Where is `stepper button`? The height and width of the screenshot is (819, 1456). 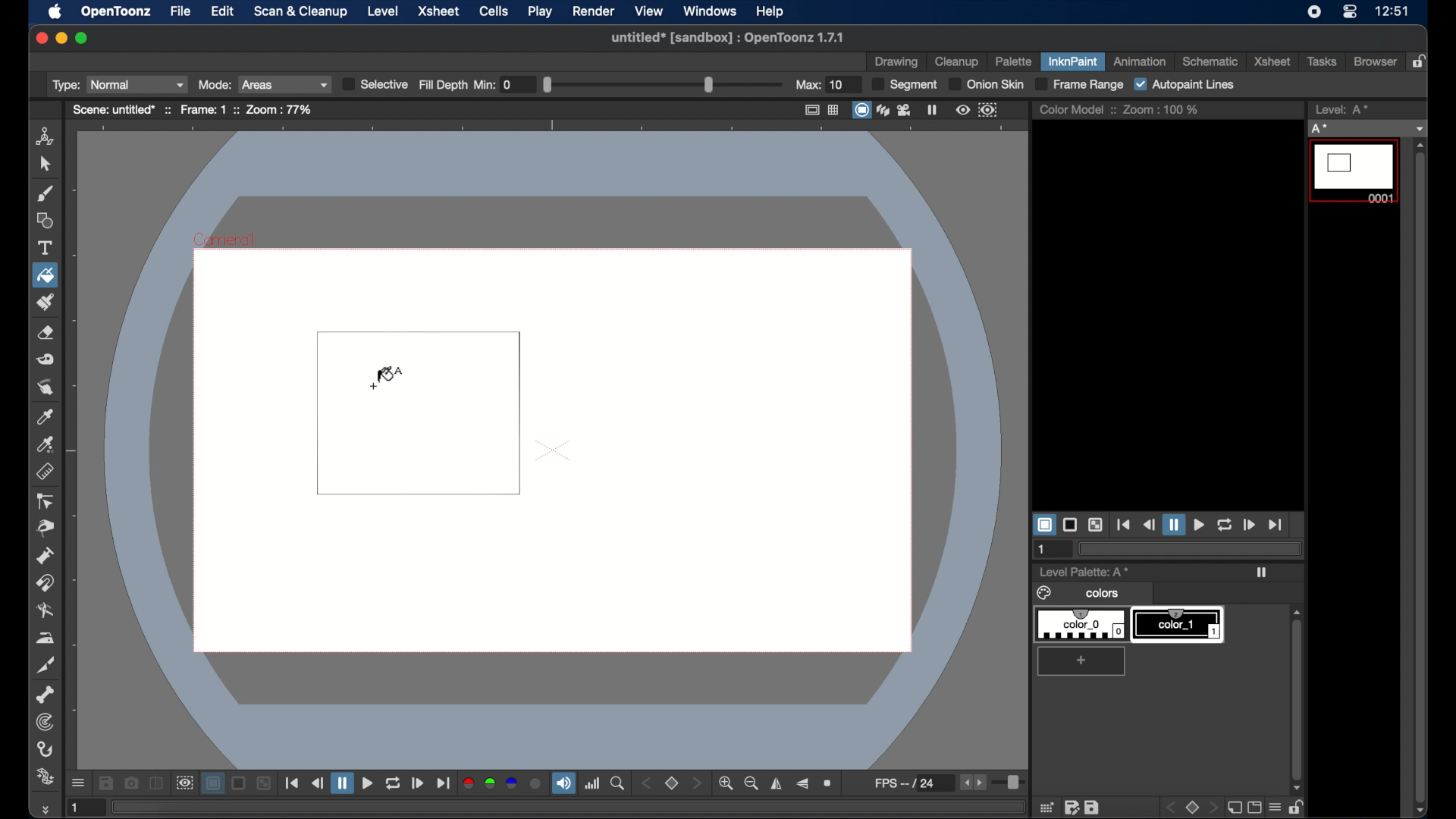
stepper button is located at coordinates (696, 783).